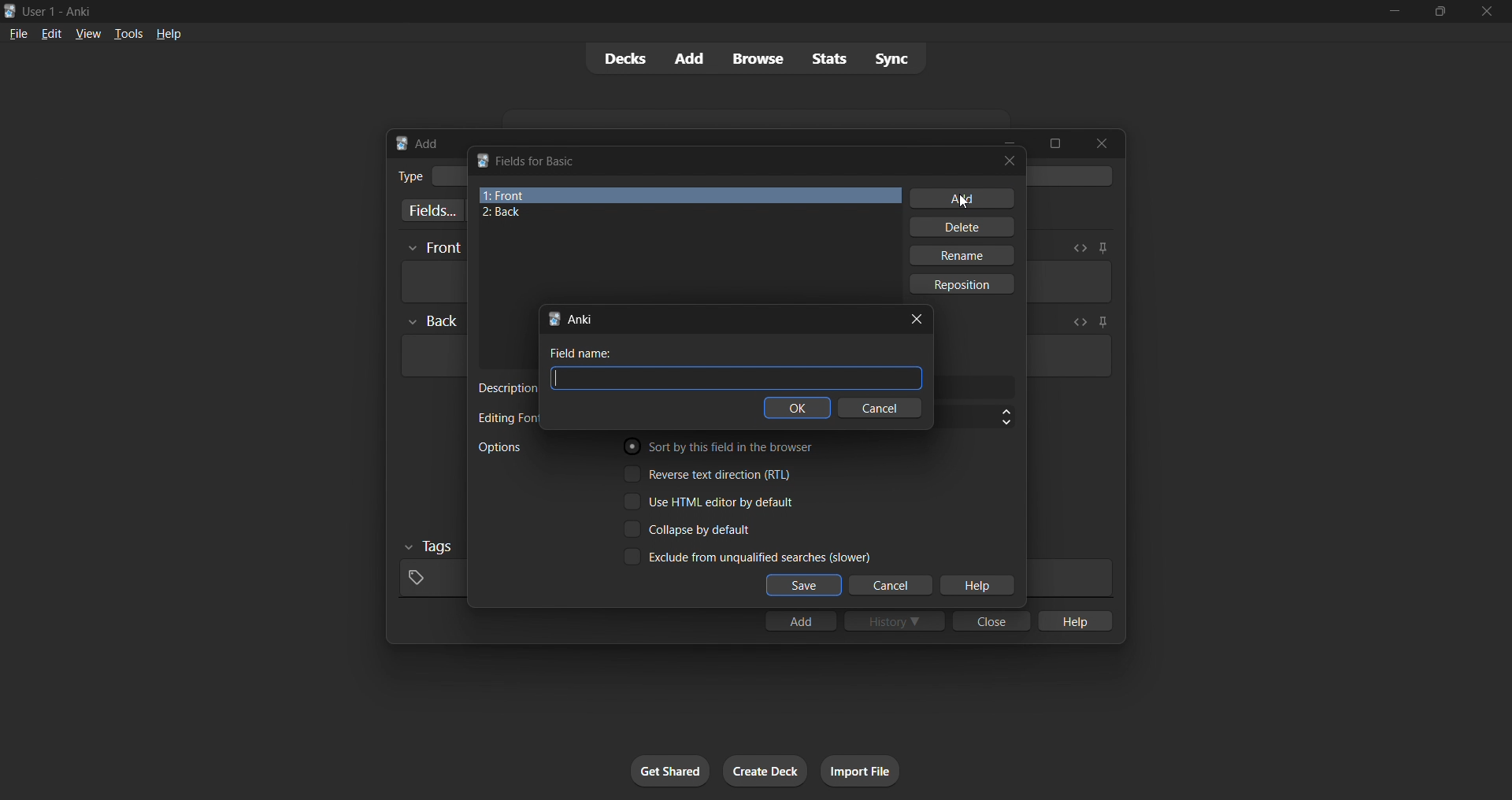  What do you see at coordinates (1073, 620) in the screenshot?
I see `help` at bounding box center [1073, 620].